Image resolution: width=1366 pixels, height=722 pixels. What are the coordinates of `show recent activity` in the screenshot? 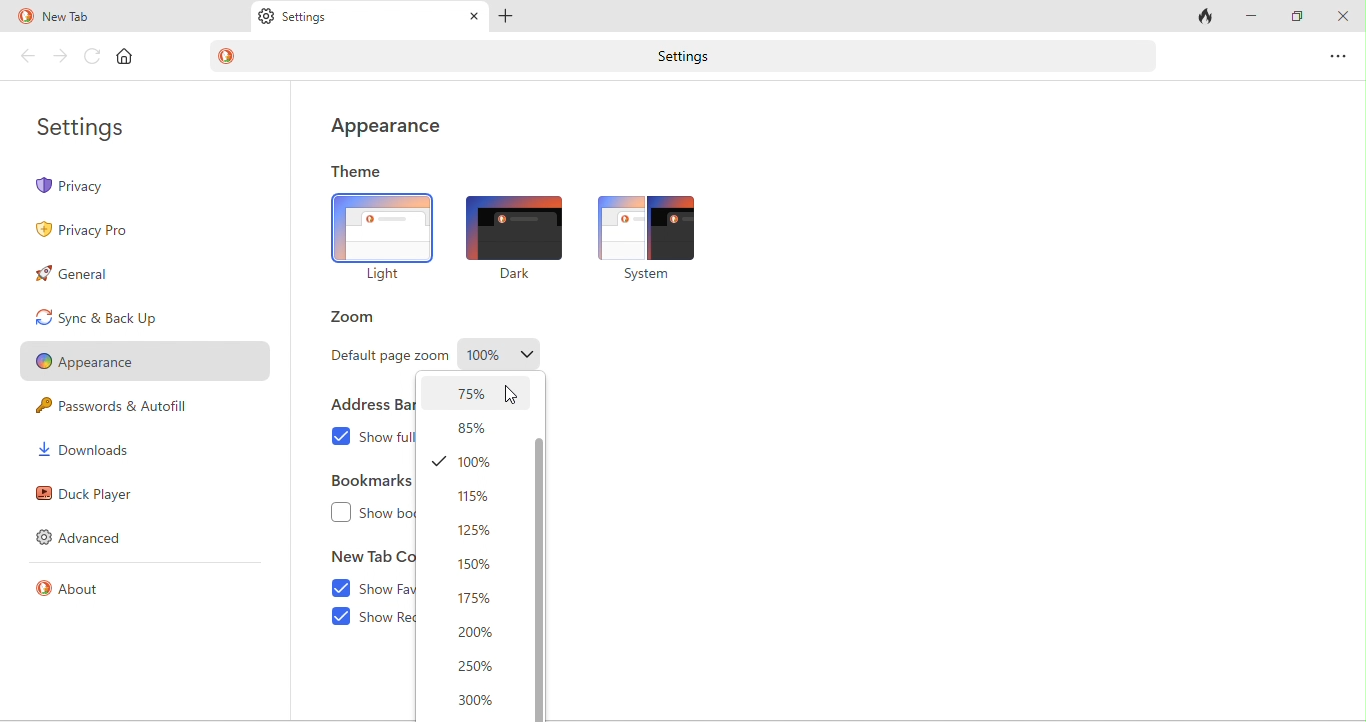 It's located at (388, 615).